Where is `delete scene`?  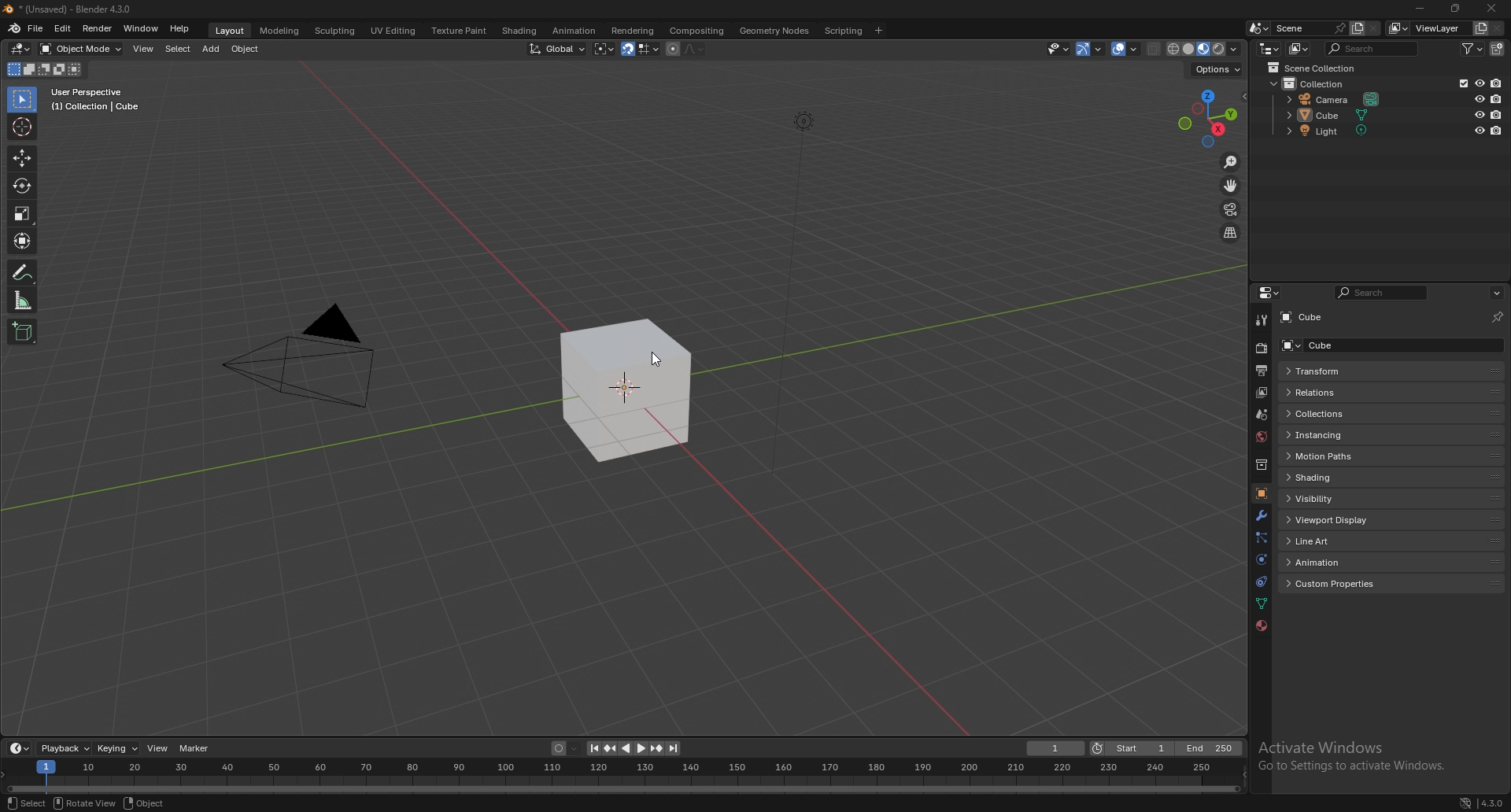 delete scene is located at coordinates (1374, 29).